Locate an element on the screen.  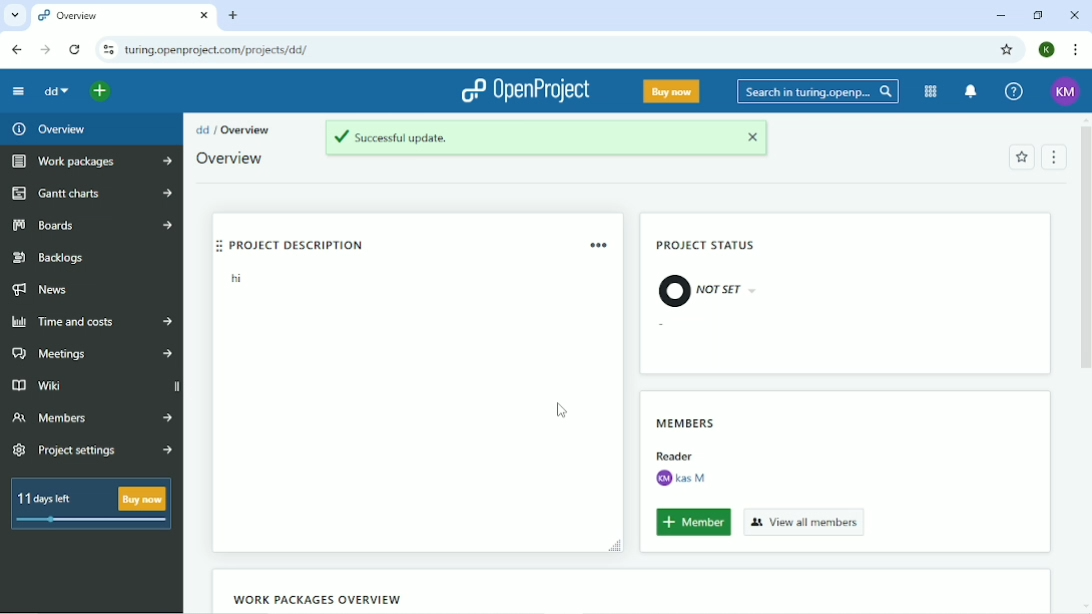
close is located at coordinates (756, 139).